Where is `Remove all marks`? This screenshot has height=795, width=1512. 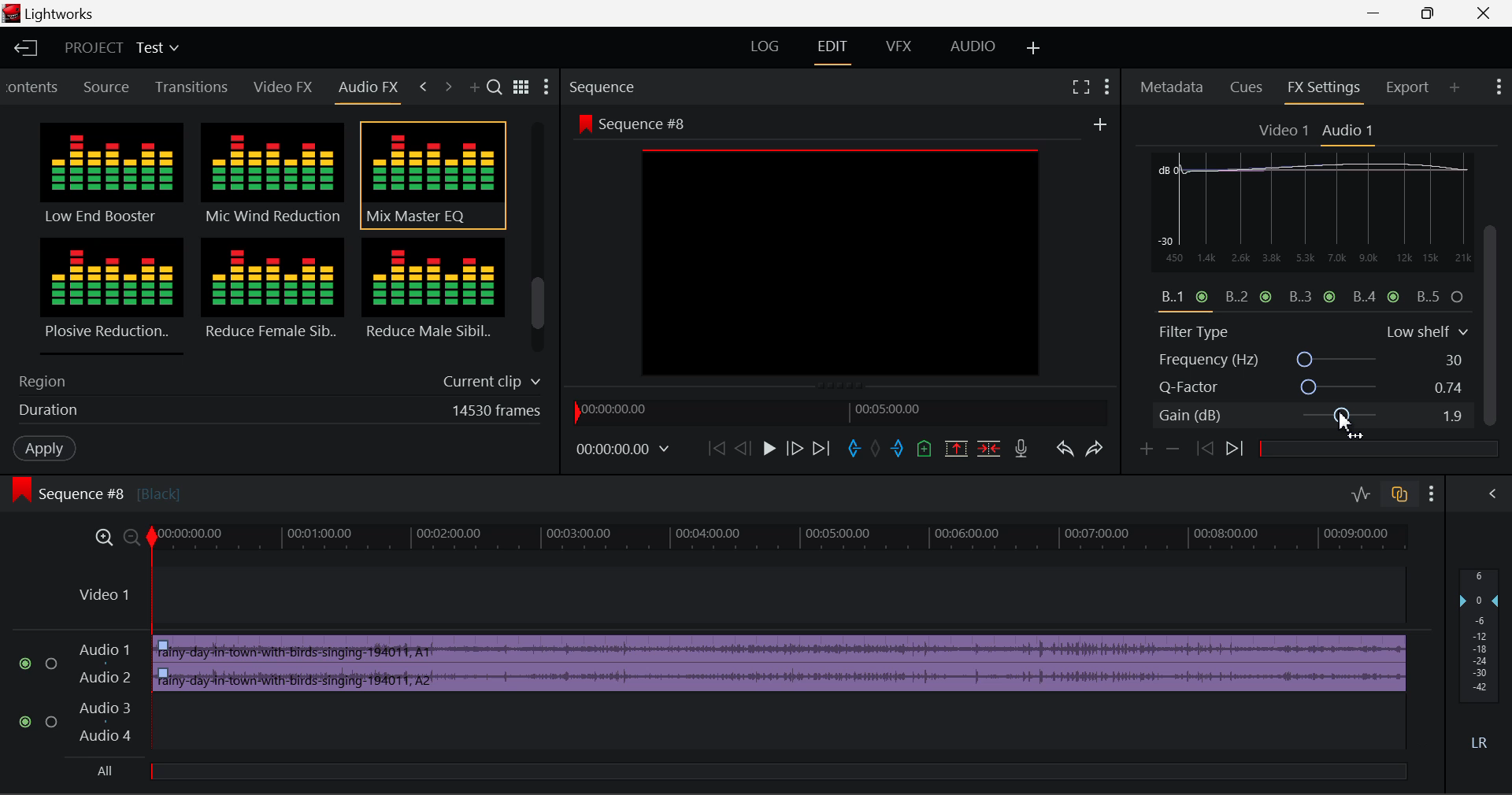
Remove all marks is located at coordinates (879, 449).